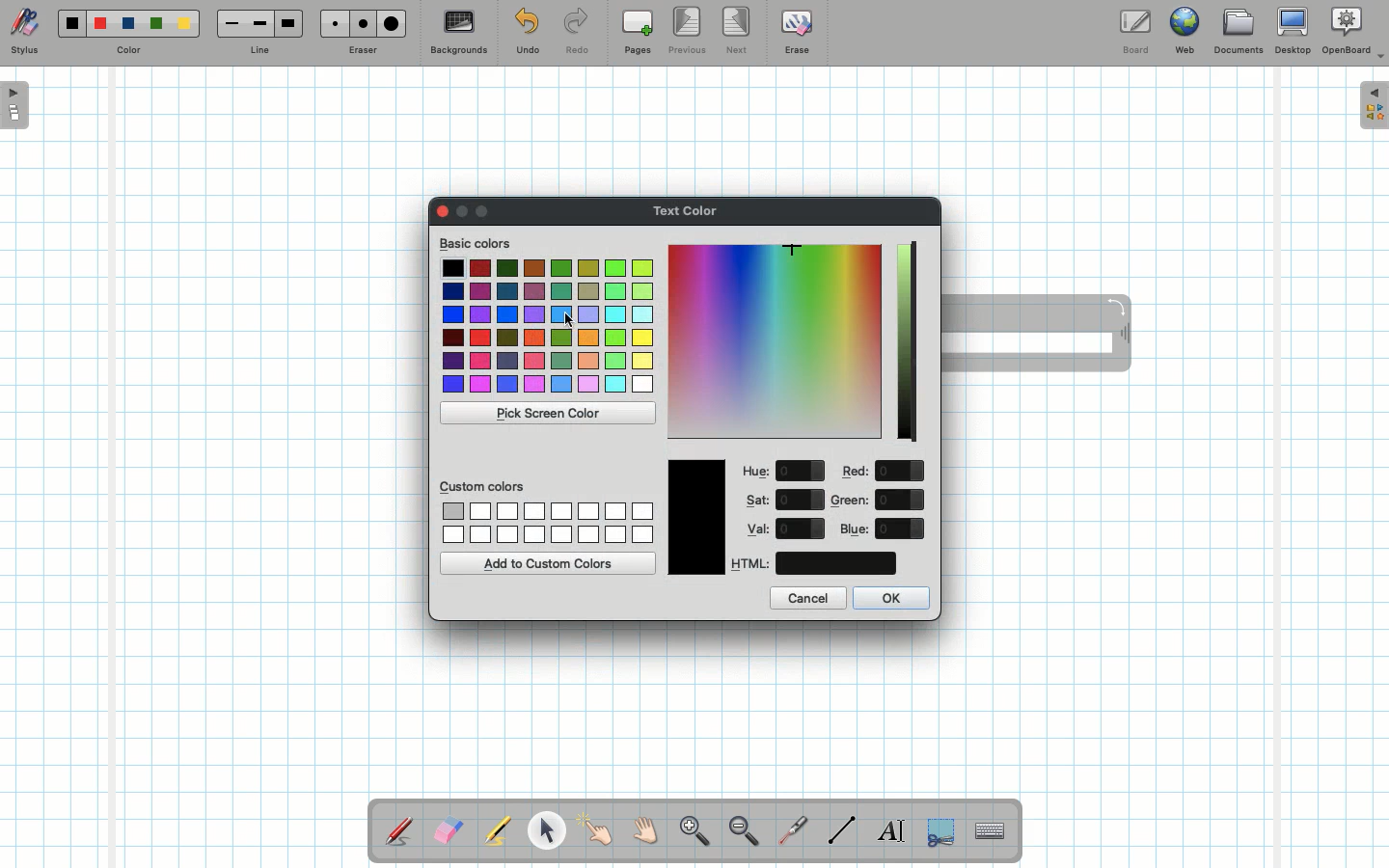  Describe the element at coordinates (855, 529) in the screenshot. I see `Blue` at that location.